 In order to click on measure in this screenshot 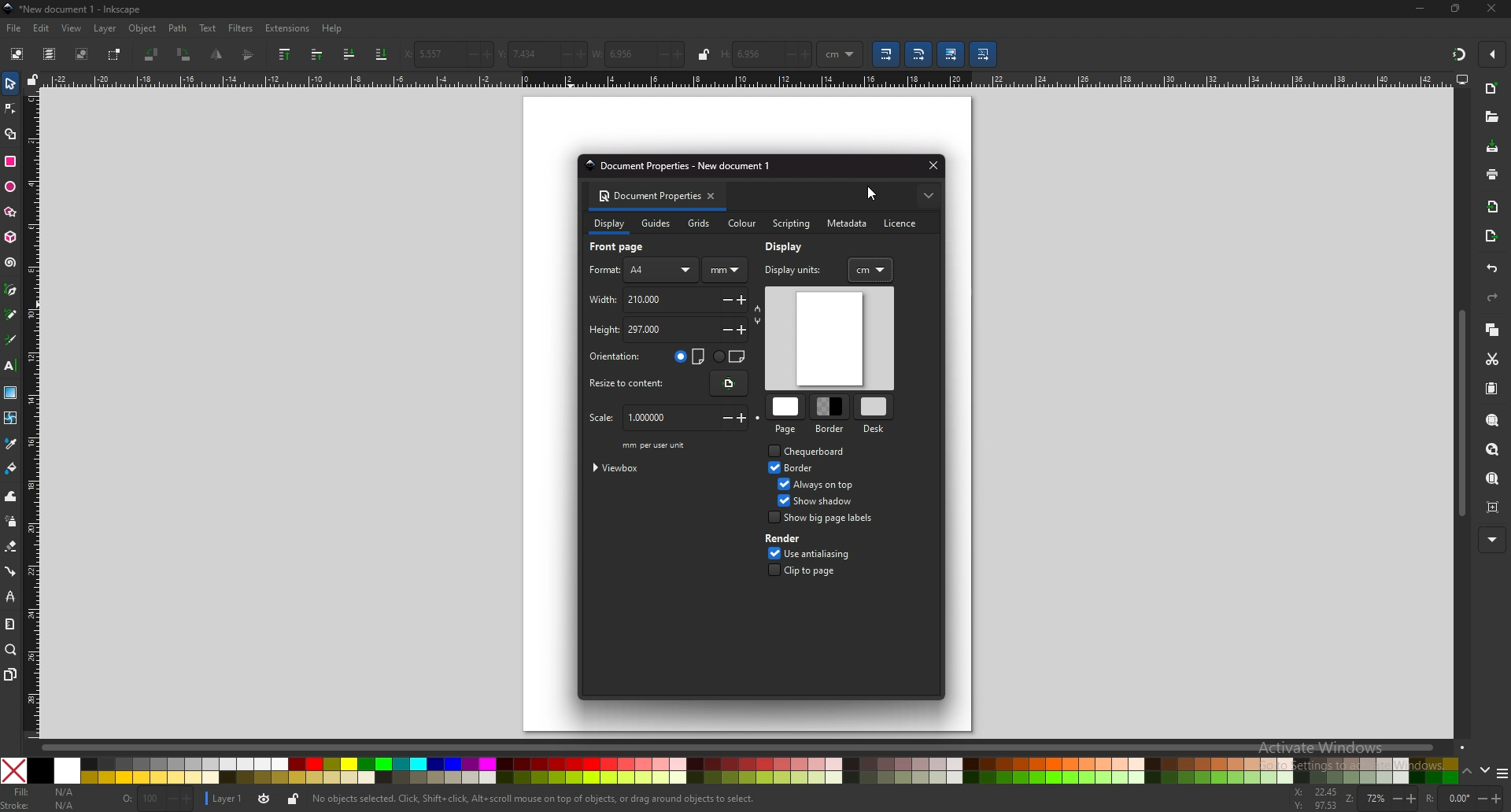, I will do `click(10, 624)`.